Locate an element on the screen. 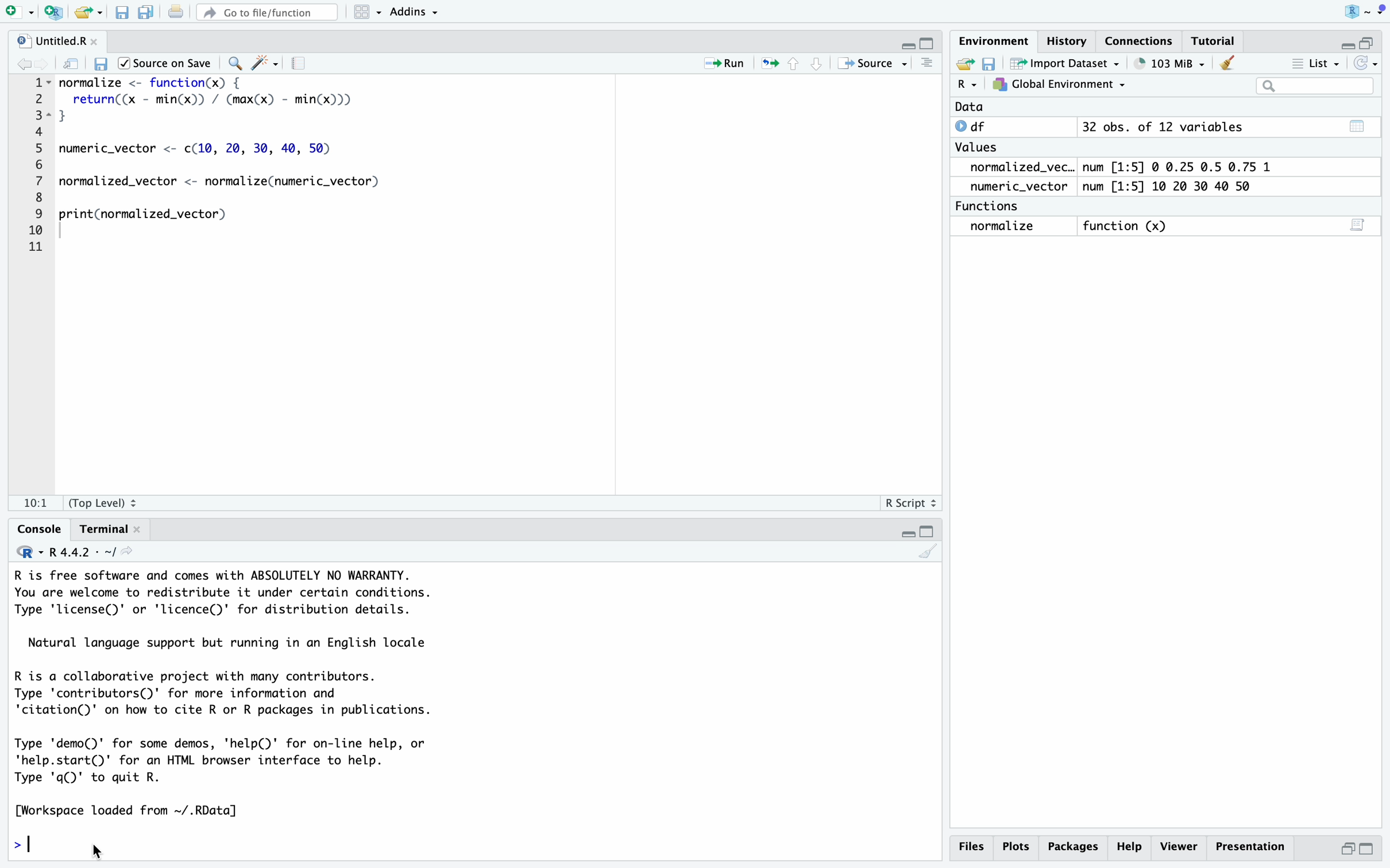 This screenshot has height=868, width=1390. List is located at coordinates (1317, 63).